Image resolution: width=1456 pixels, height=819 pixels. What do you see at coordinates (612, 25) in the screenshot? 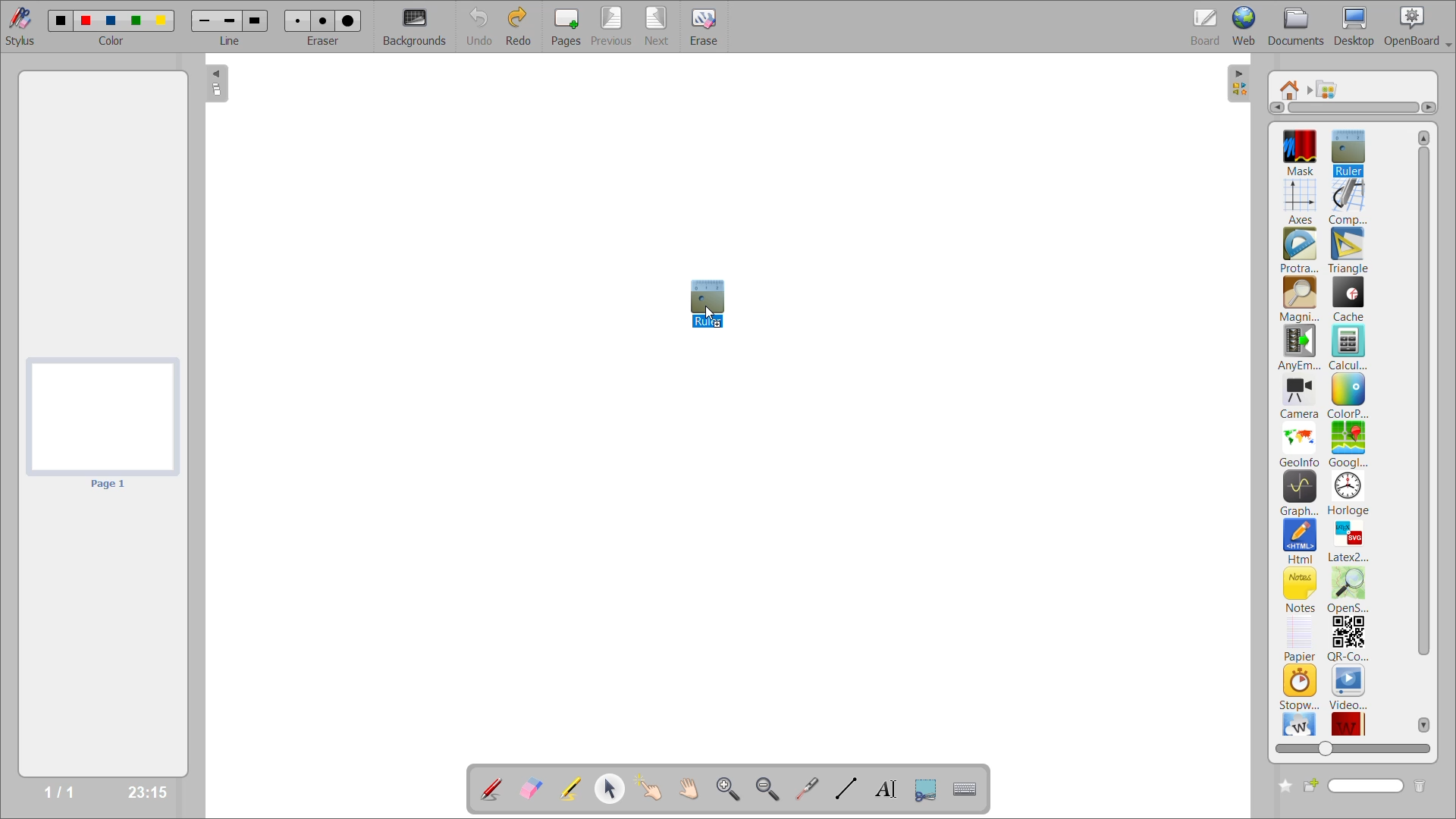
I see `previous` at bounding box center [612, 25].